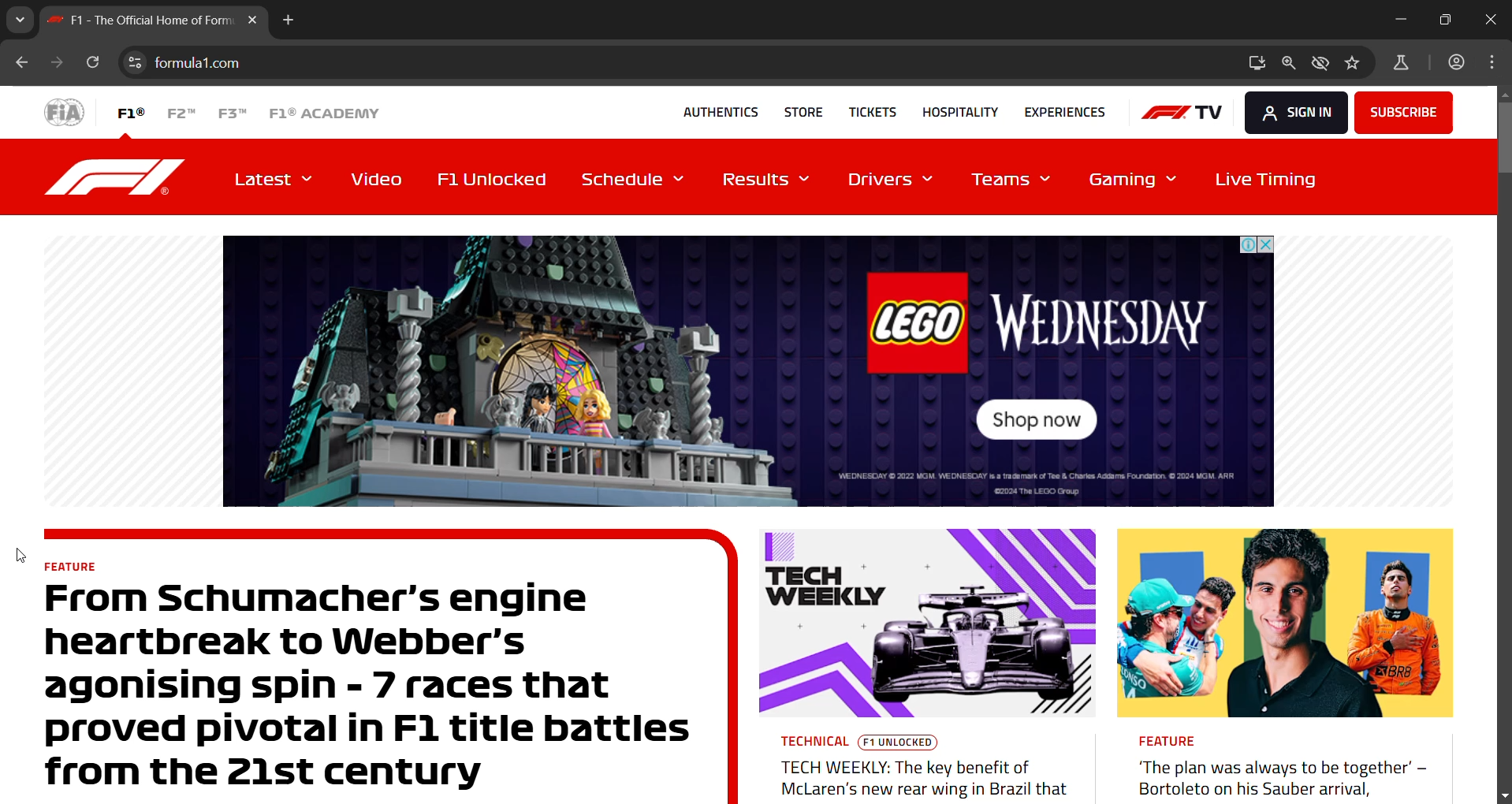 This screenshot has height=804, width=1512. Describe the element at coordinates (390, 665) in the screenshot. I see `News : feature -From Schumacher’s engineheartbreak to Webber'sagonising spin - 7 races thatproved pivotal in Fl title battlesfrom the 21st century` at that location.